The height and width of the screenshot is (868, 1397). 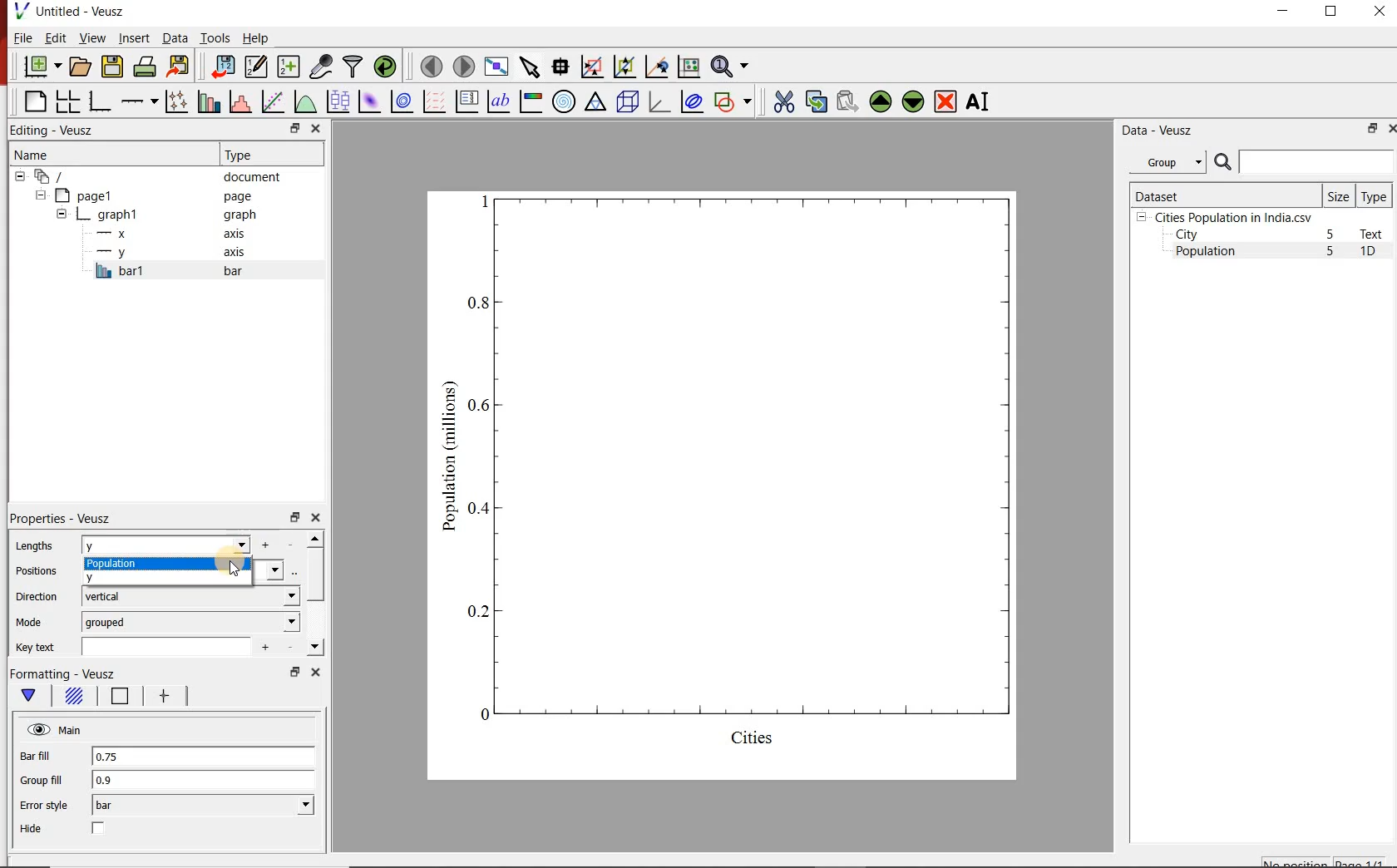 I want to click on Editing - Veusz, so click(x=61, y=130).